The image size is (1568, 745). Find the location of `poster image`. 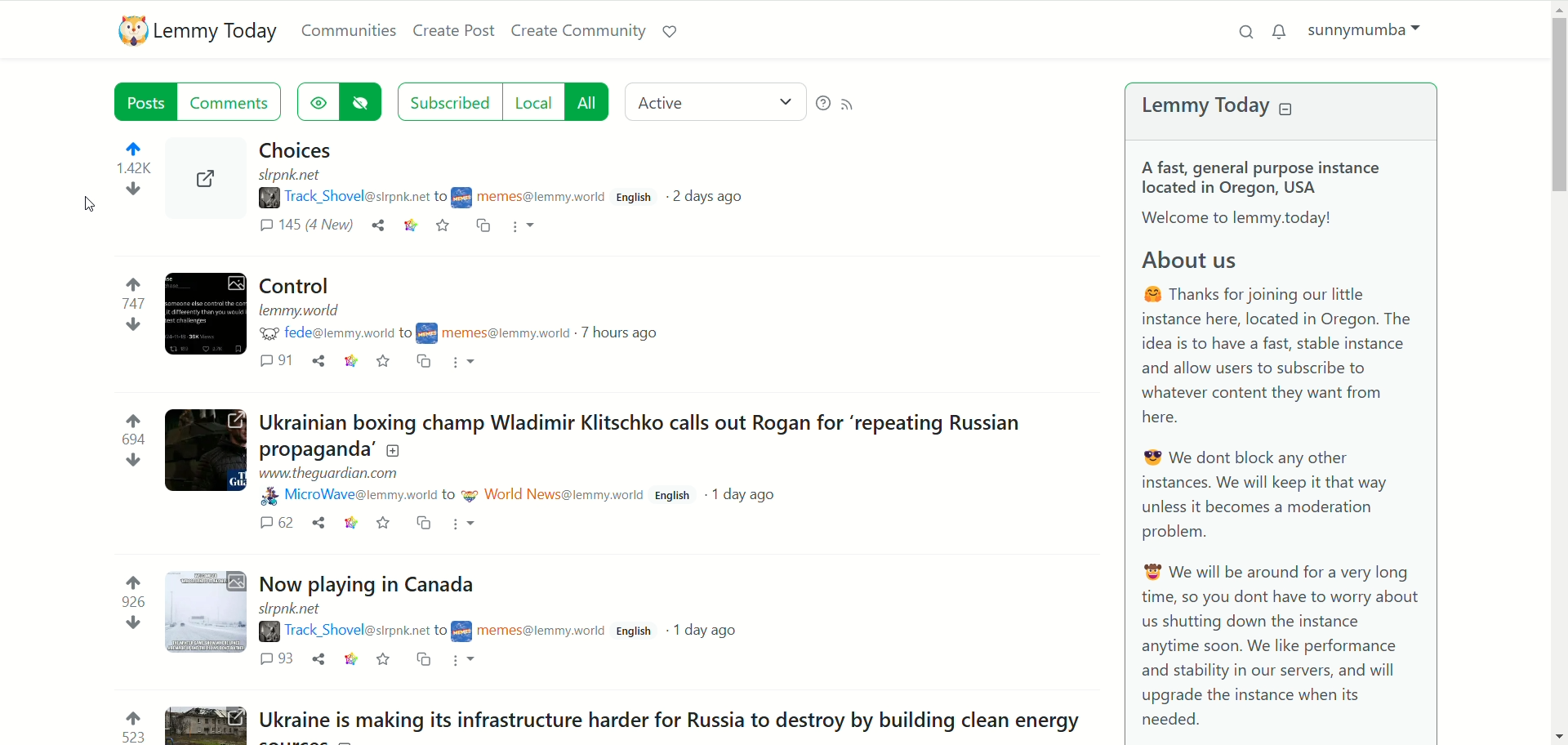

poster image is located at coordinates (471, 494).